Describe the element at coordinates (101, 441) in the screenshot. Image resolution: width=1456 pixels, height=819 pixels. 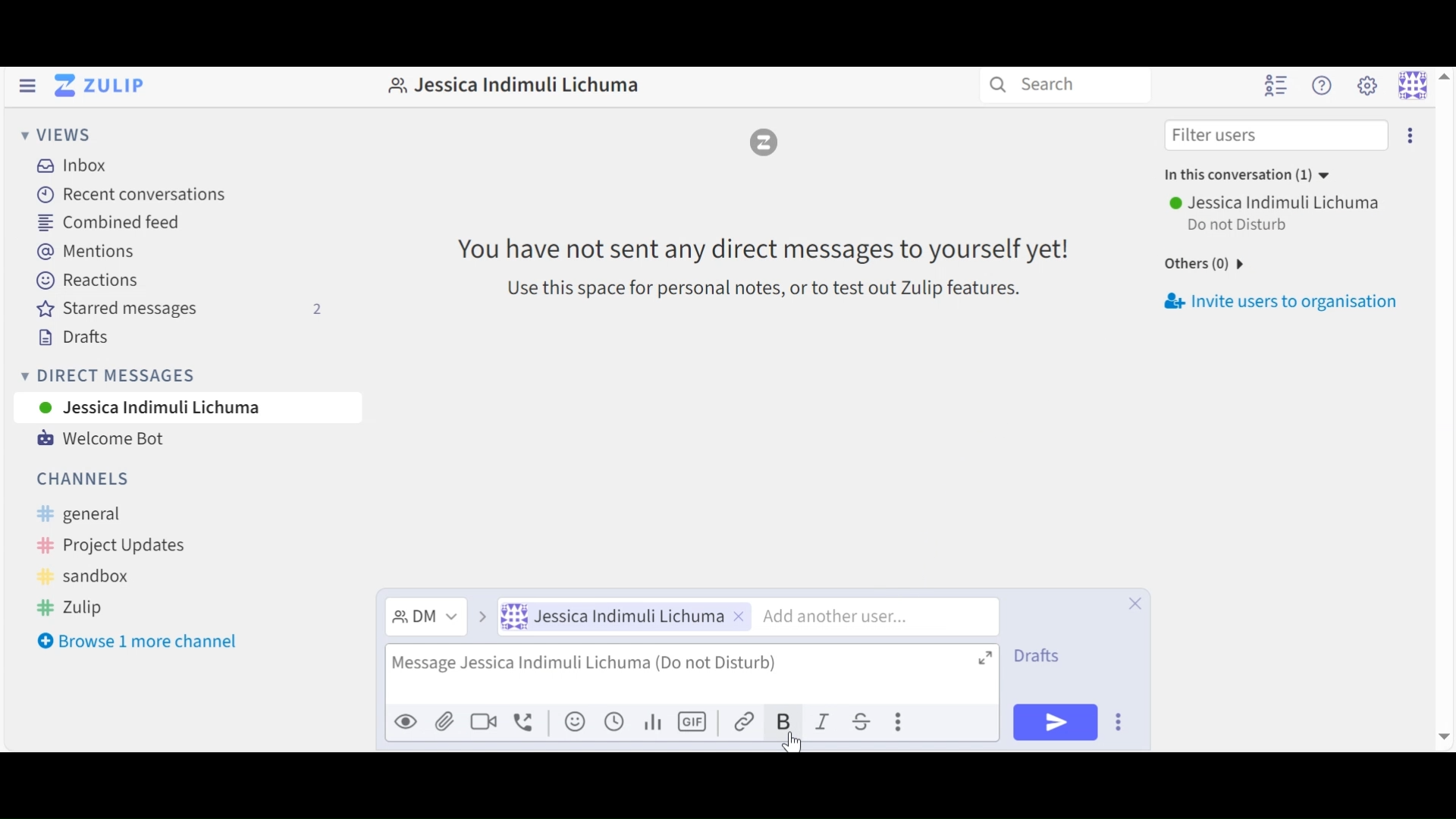
I see `Welcome Bot` at that location.